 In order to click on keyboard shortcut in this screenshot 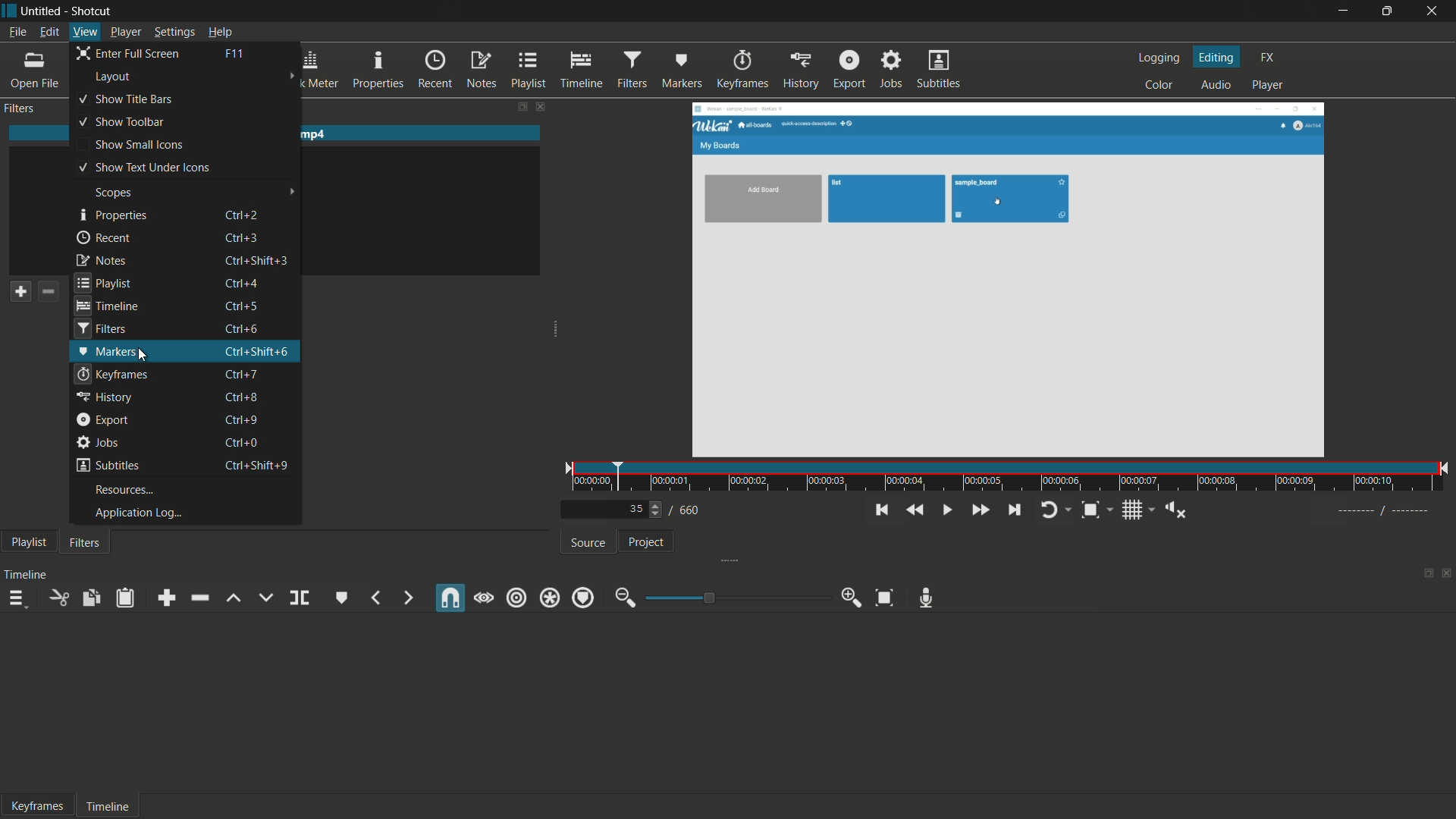, I will do `click(234, 55)`.